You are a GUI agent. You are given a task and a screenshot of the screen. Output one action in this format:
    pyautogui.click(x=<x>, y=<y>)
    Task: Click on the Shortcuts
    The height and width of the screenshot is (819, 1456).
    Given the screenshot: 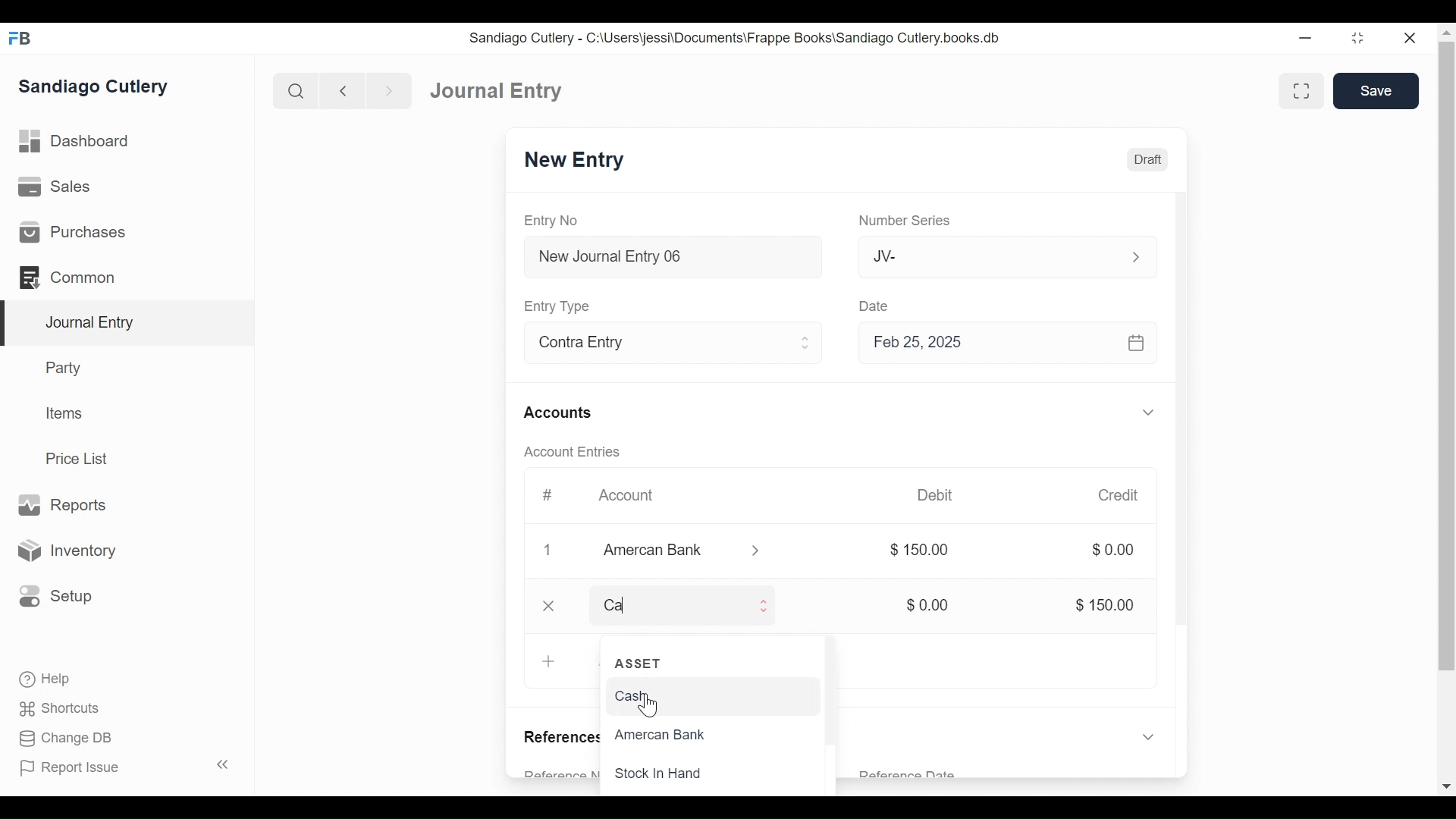 What is the action you would take?
    pyautogui.click(x=64, y=708)
    